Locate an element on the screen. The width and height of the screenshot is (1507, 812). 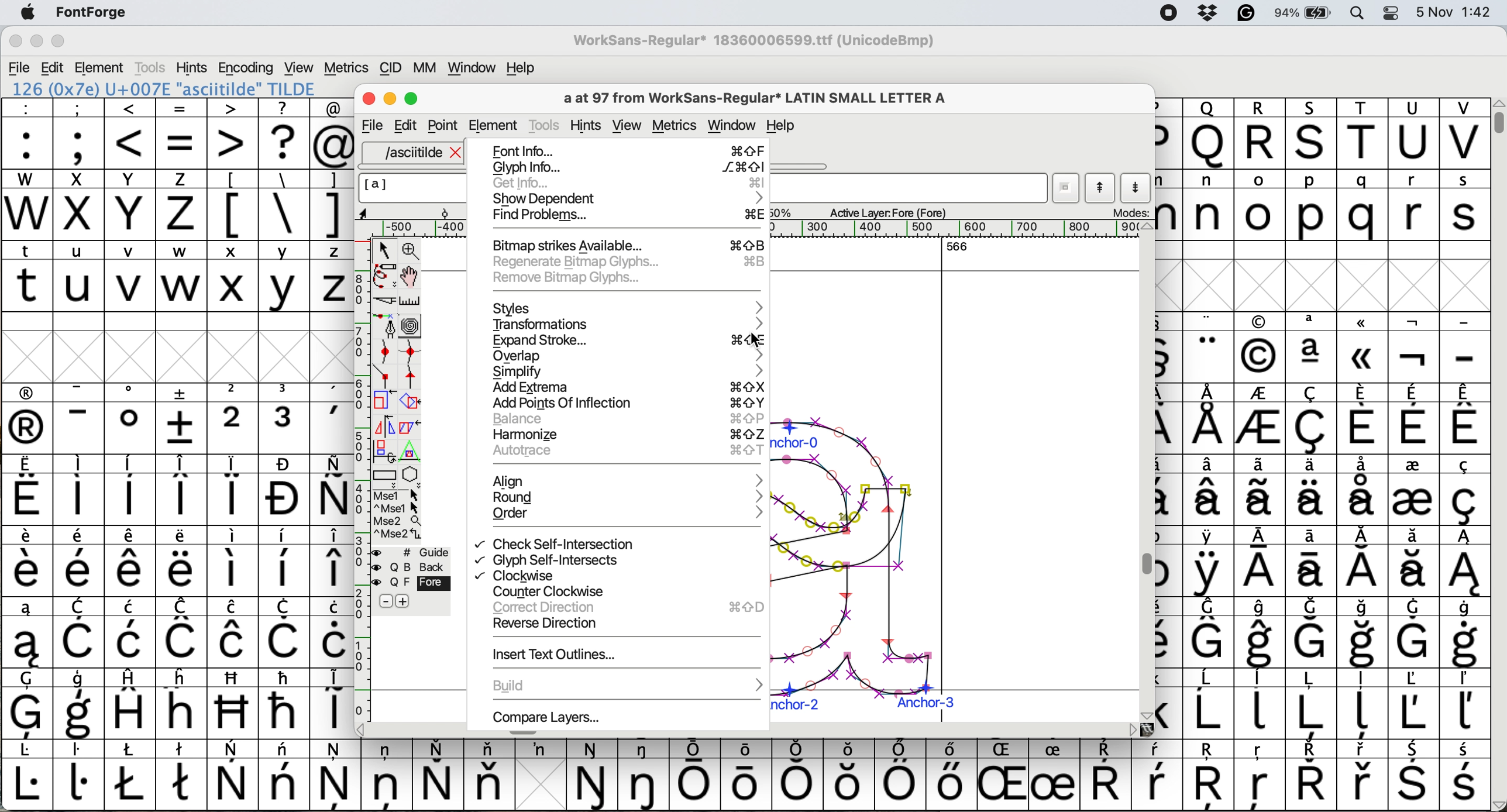
symbol is located at coordinates (1466, 418).